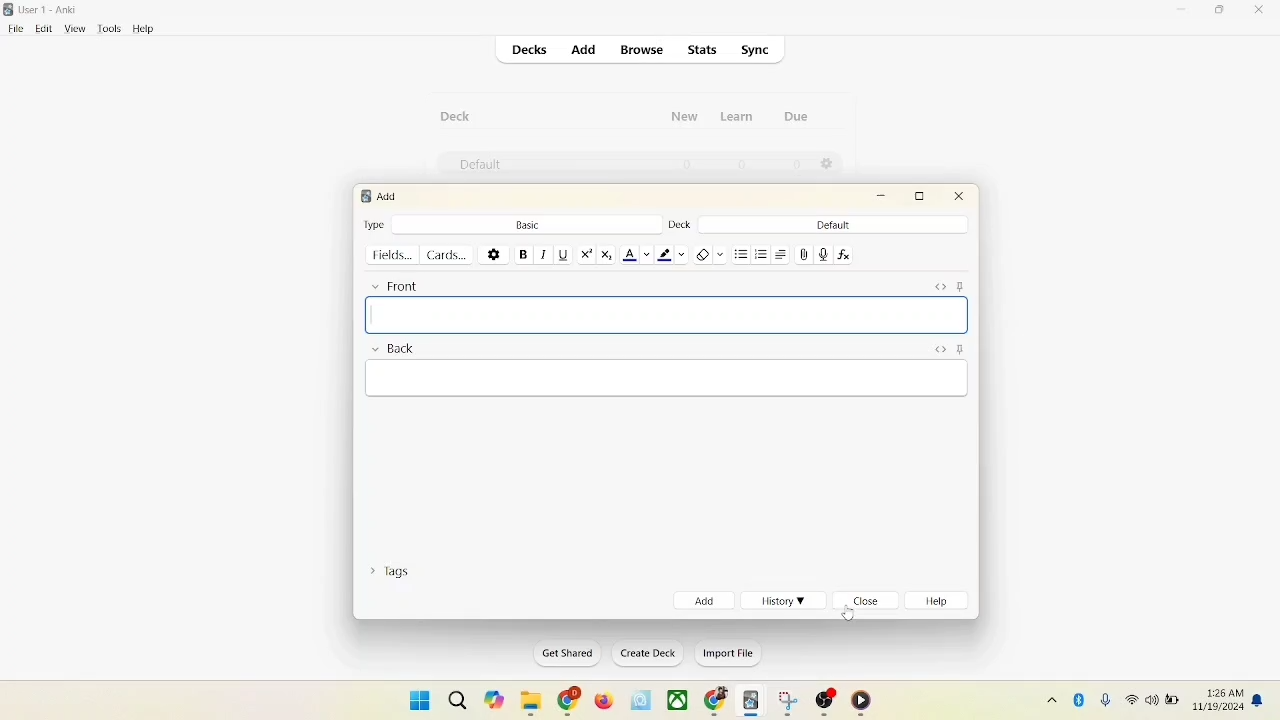 The width and height of the screenshot is (1280, 720). What do you see at coordinates (678, 225) in the screenshot?
I see `deck` at bounding box center [678, 225].